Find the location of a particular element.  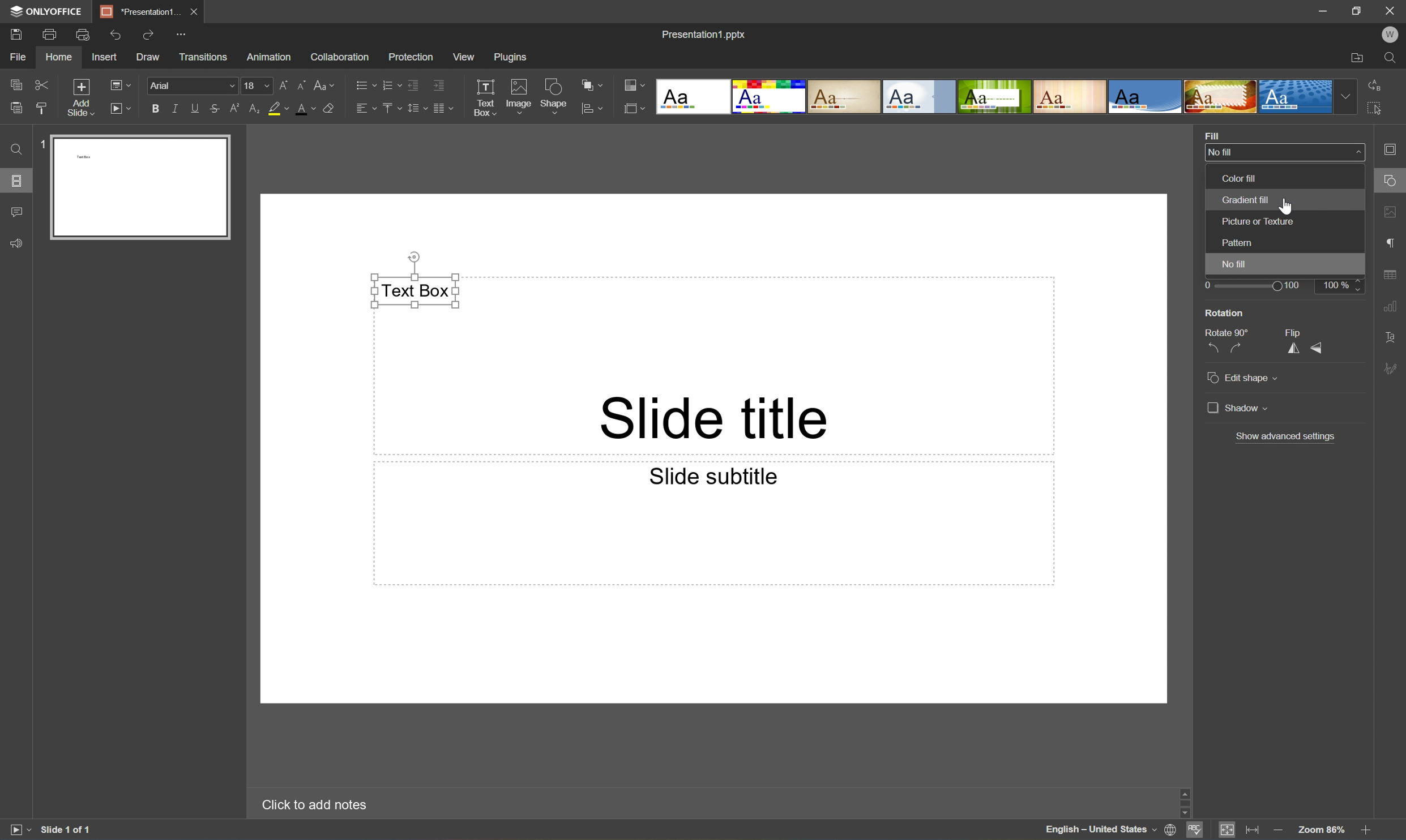

Restore Down is located at coordinates (1358, 8).